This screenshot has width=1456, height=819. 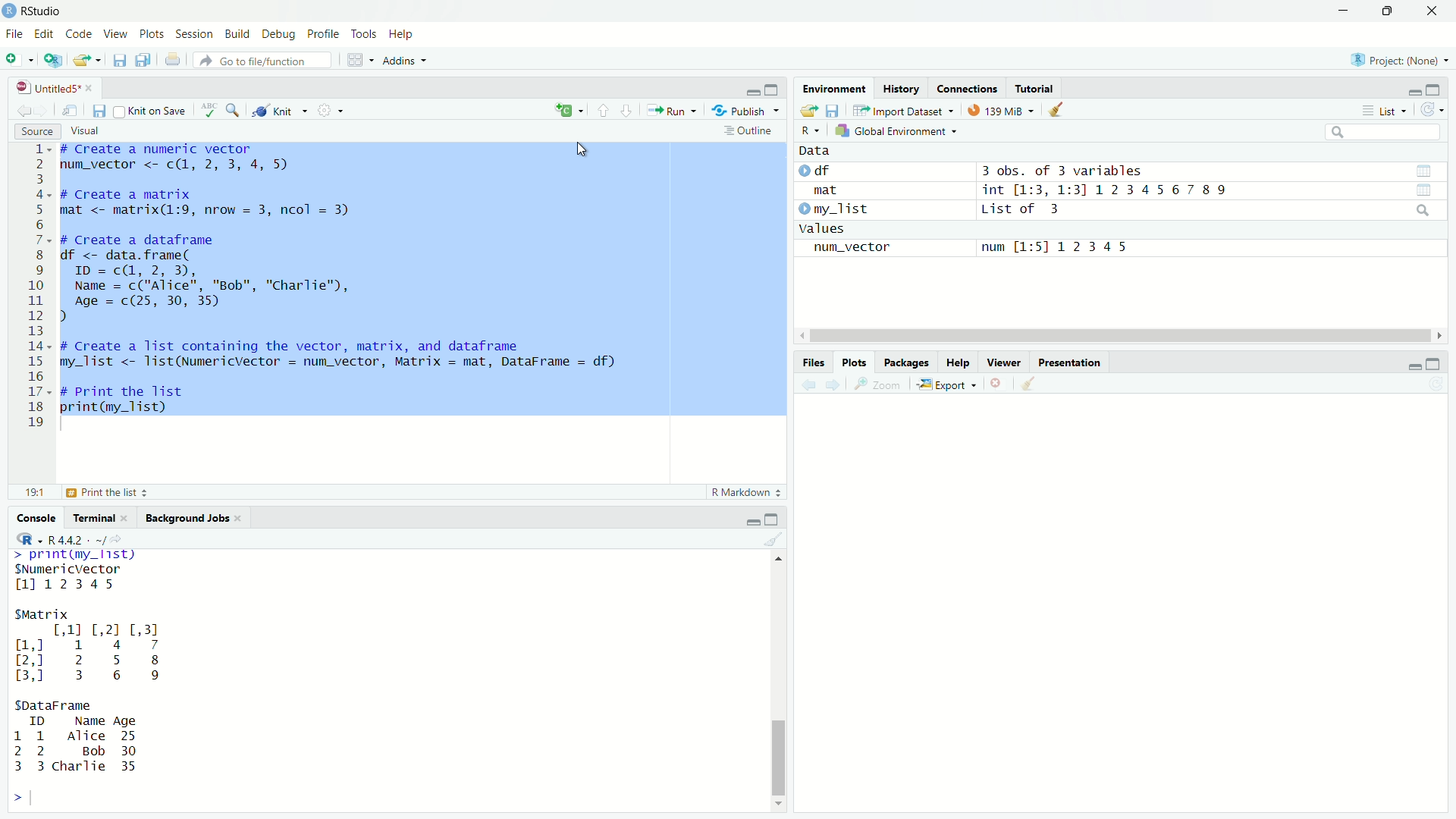 What do you see at coordinates (907, 363) in the screenshot?
I see `Packages` at bounding box center [907, 363].